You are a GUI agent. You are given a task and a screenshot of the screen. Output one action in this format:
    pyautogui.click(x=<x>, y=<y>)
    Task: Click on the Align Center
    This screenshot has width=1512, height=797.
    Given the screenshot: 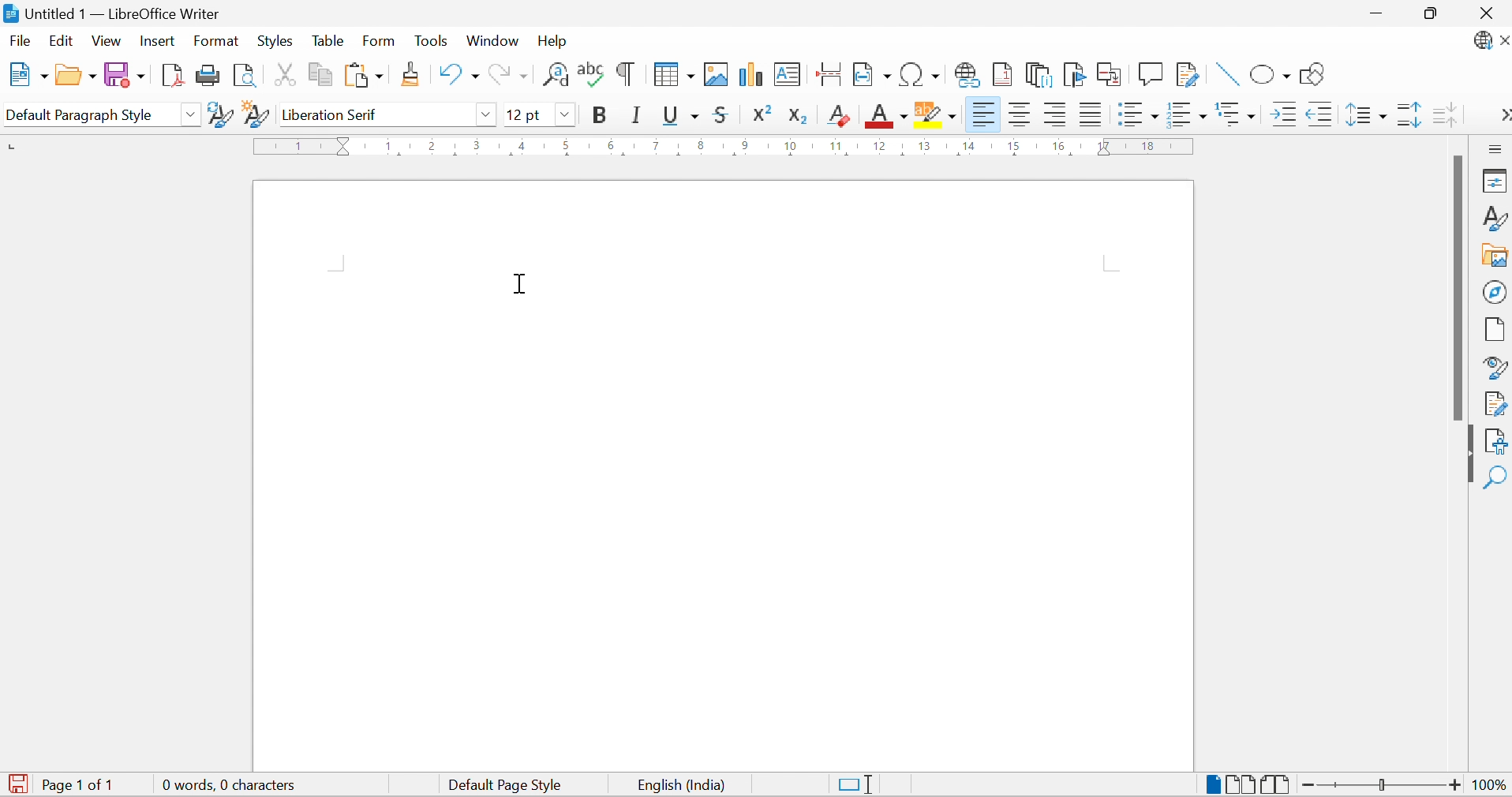 What is the action you would take?
    pyautogui.click(x=1023, y=116)
    